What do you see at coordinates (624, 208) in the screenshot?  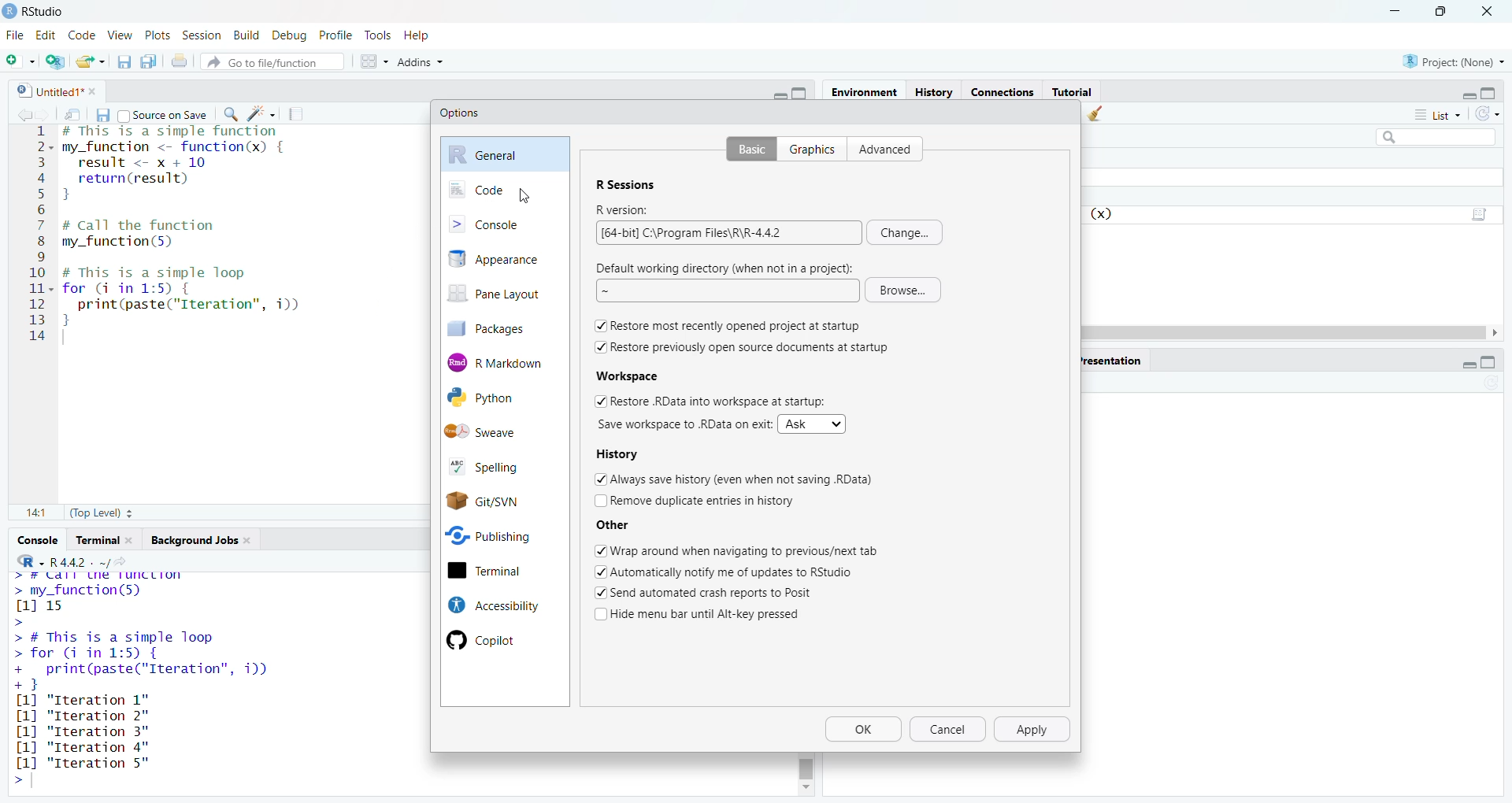 I see `R version:` at bounding box center [624, 208].